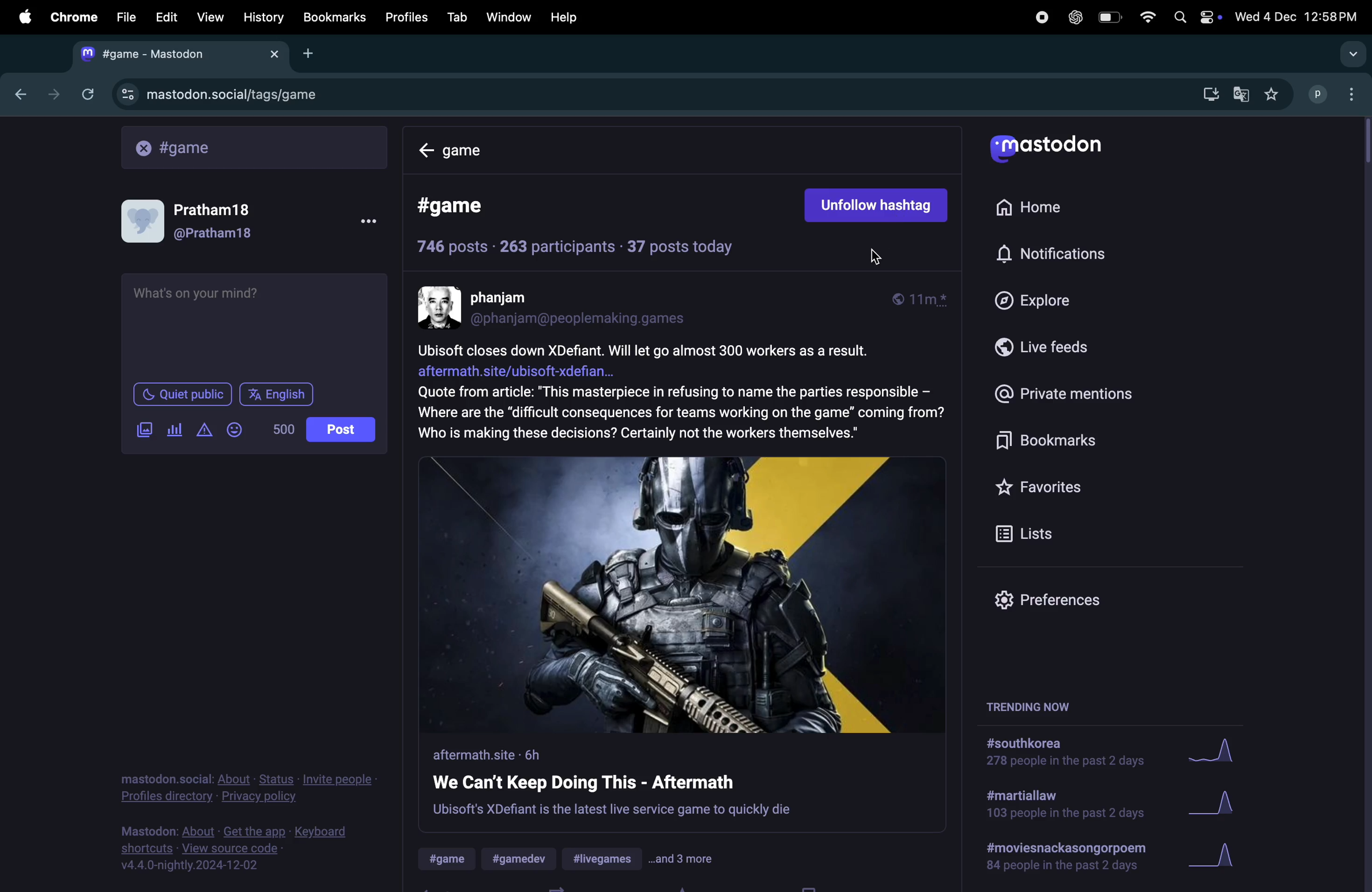 The width and height of the screenshot is (1372, 892). Describe the element at coordinates (1144, 16) in the screenshot. I see `wifi` at that location.